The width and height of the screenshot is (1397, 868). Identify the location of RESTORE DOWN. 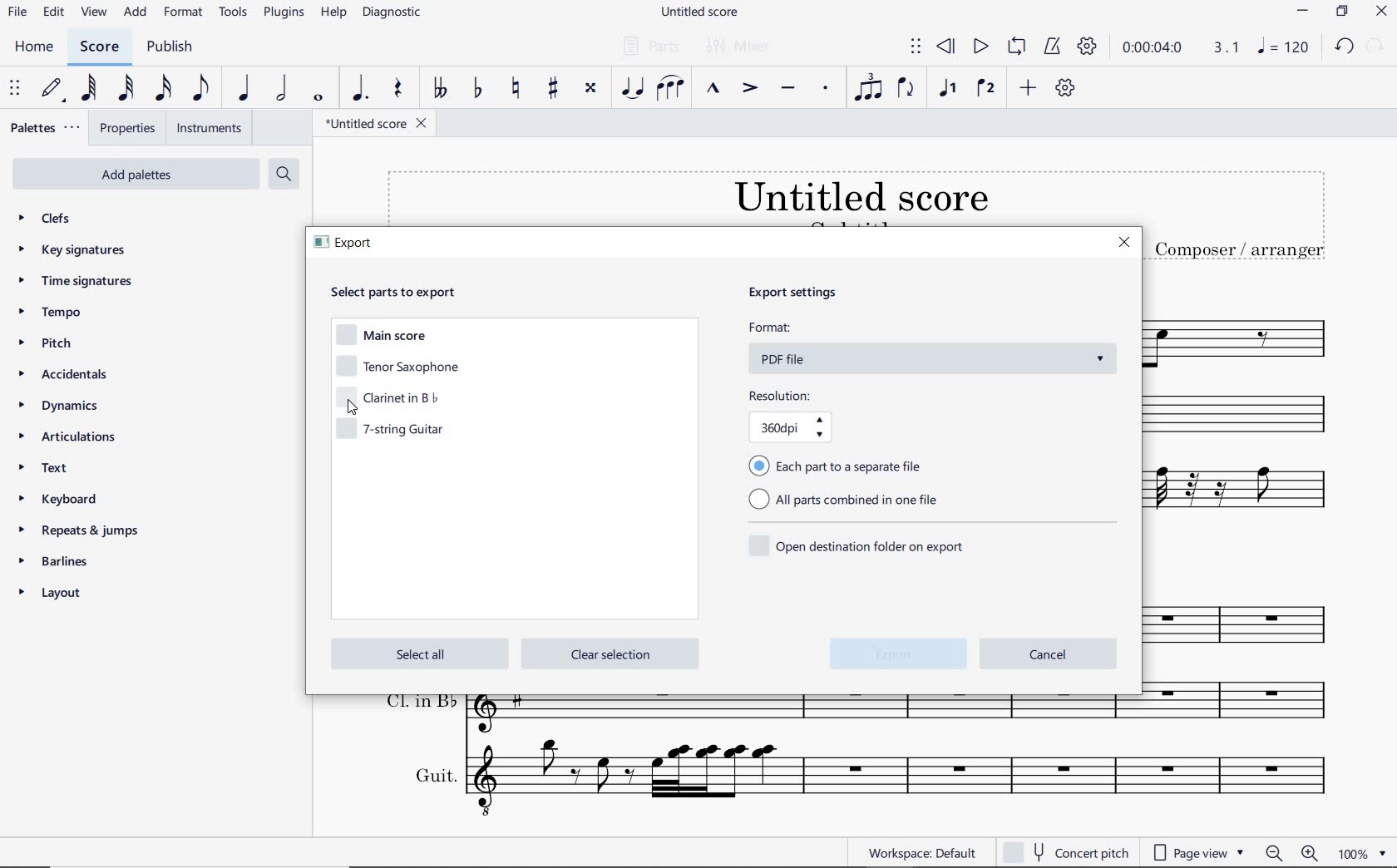
(1341, 12).